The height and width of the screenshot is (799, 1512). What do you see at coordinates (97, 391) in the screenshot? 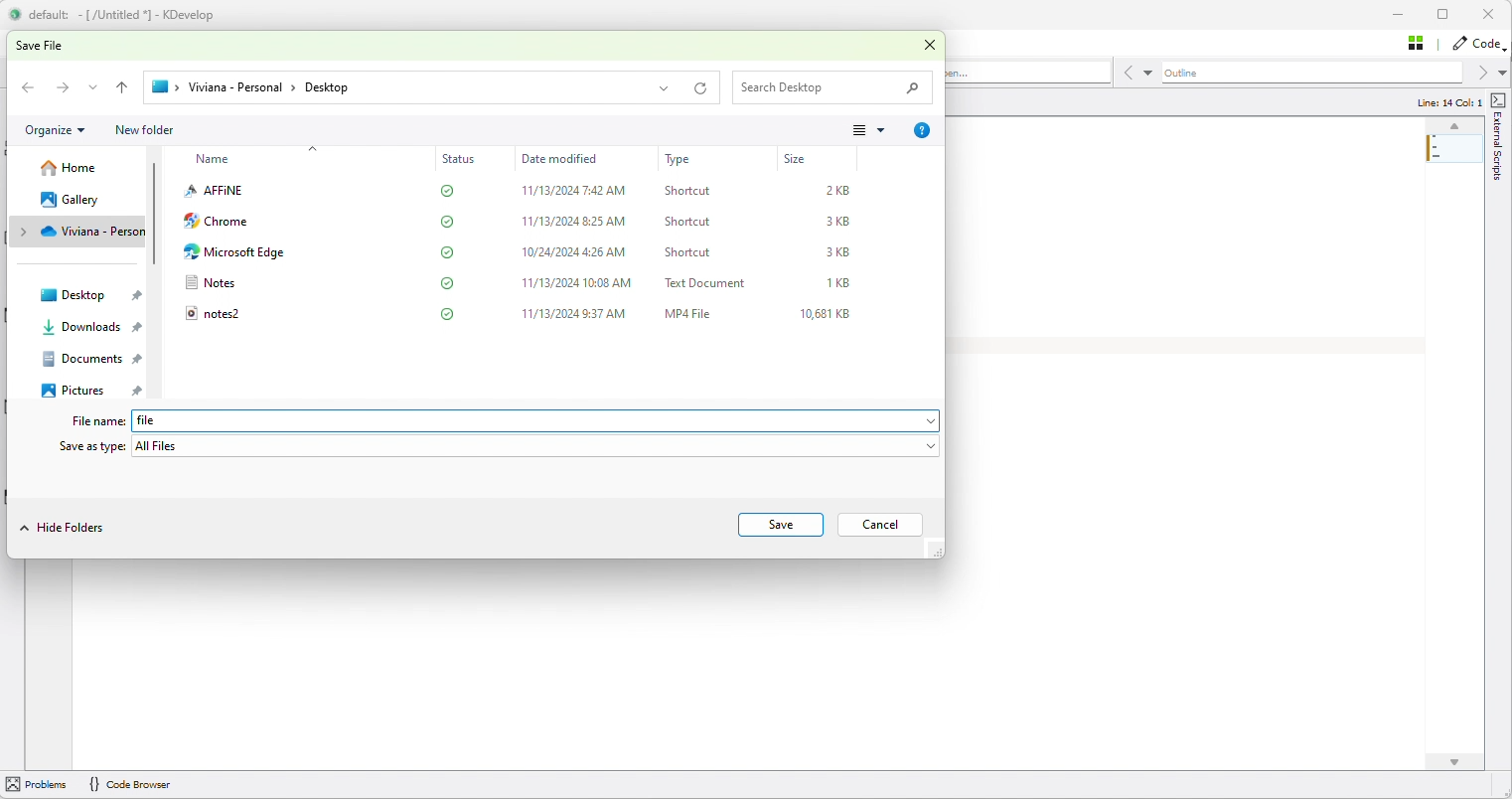
I see `Pictures` at bounding box center [97, 391].